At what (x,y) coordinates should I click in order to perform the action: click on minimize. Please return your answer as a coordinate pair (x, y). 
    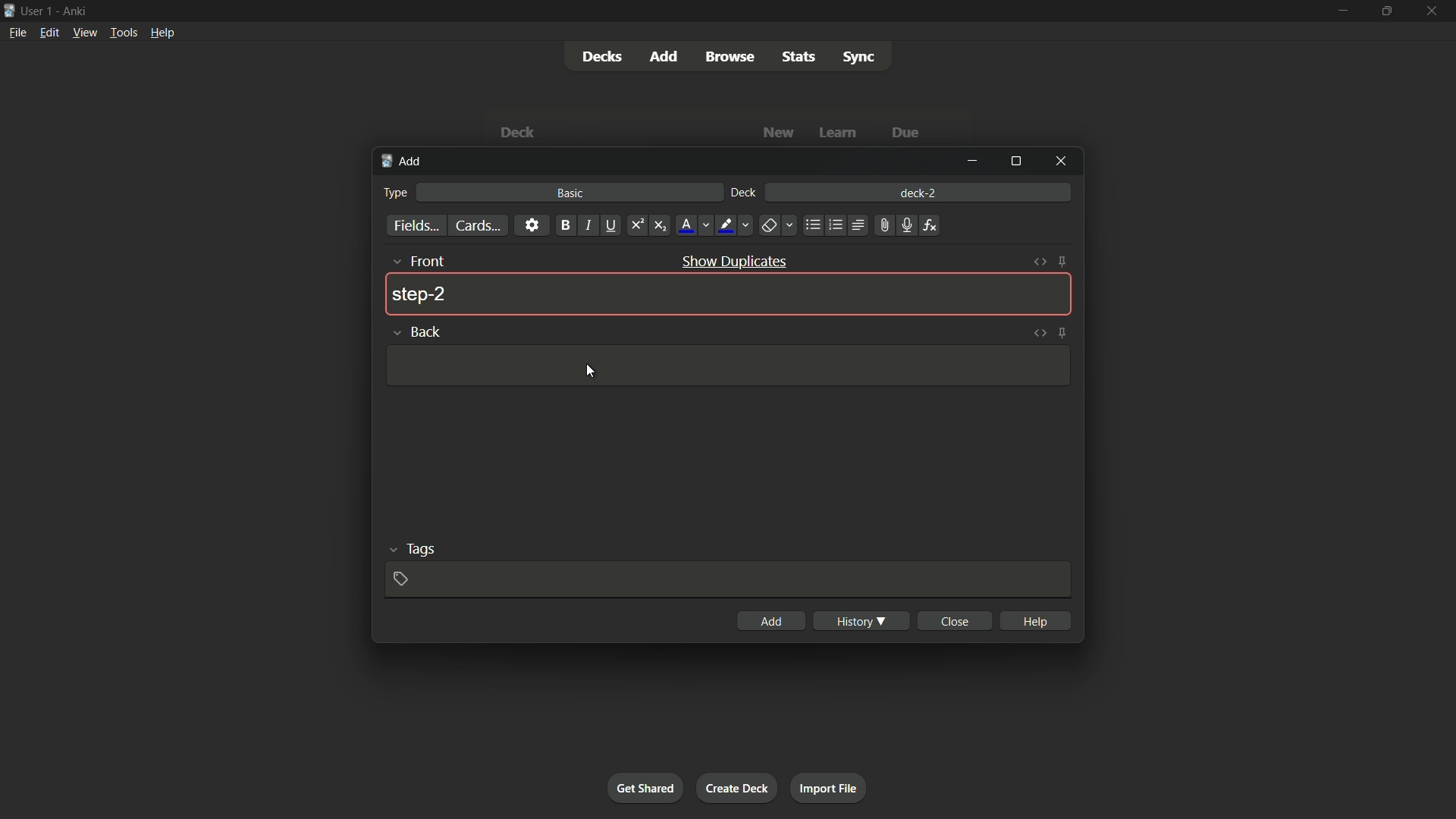
    Looking at the image, I should click on (976, 162).